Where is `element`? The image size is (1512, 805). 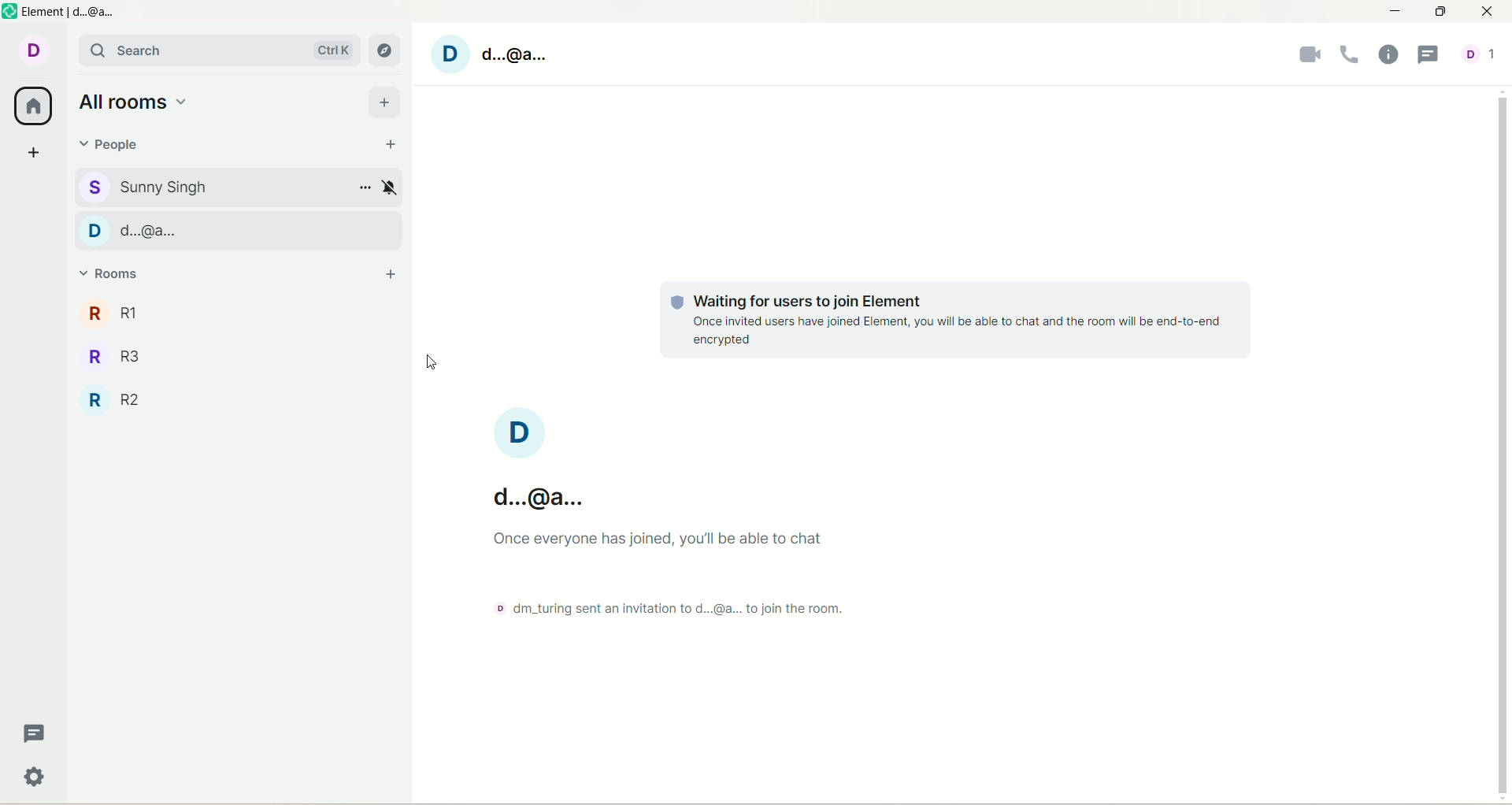
element is located at coordinates (72, 13).